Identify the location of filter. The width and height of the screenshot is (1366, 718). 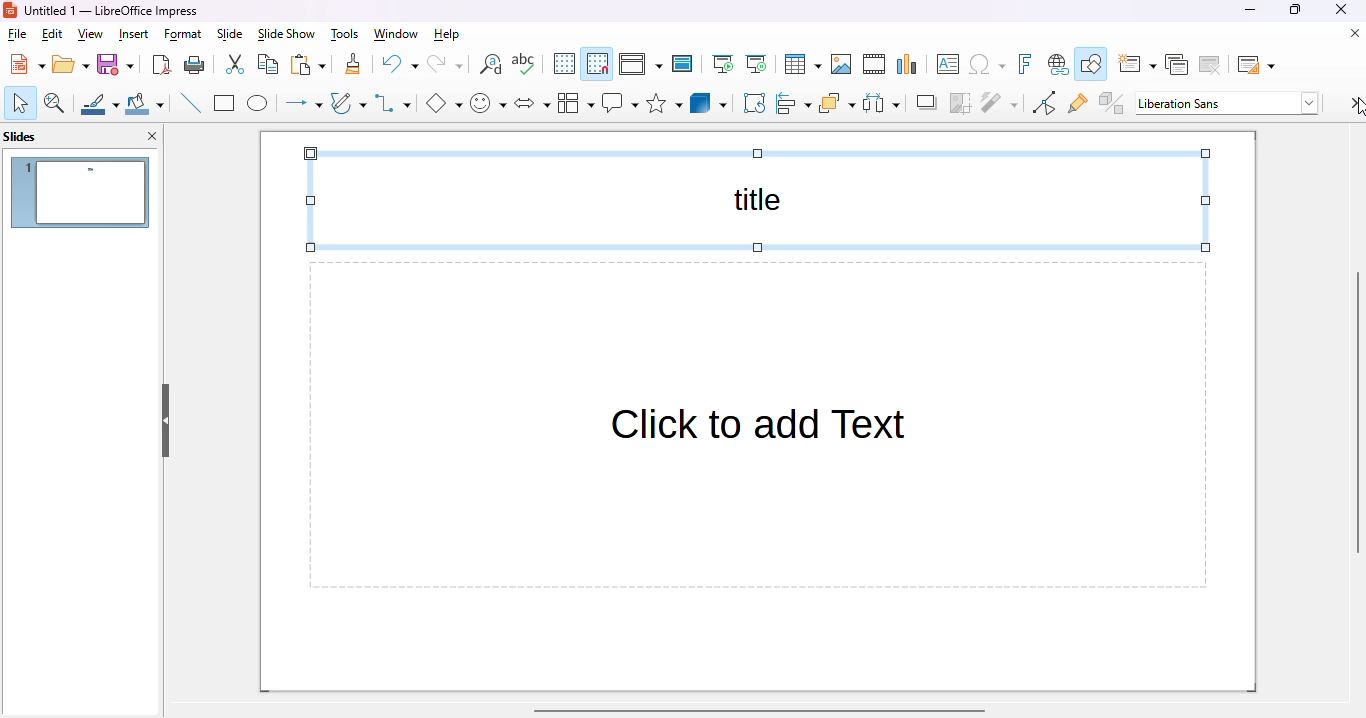
(1000, 103).